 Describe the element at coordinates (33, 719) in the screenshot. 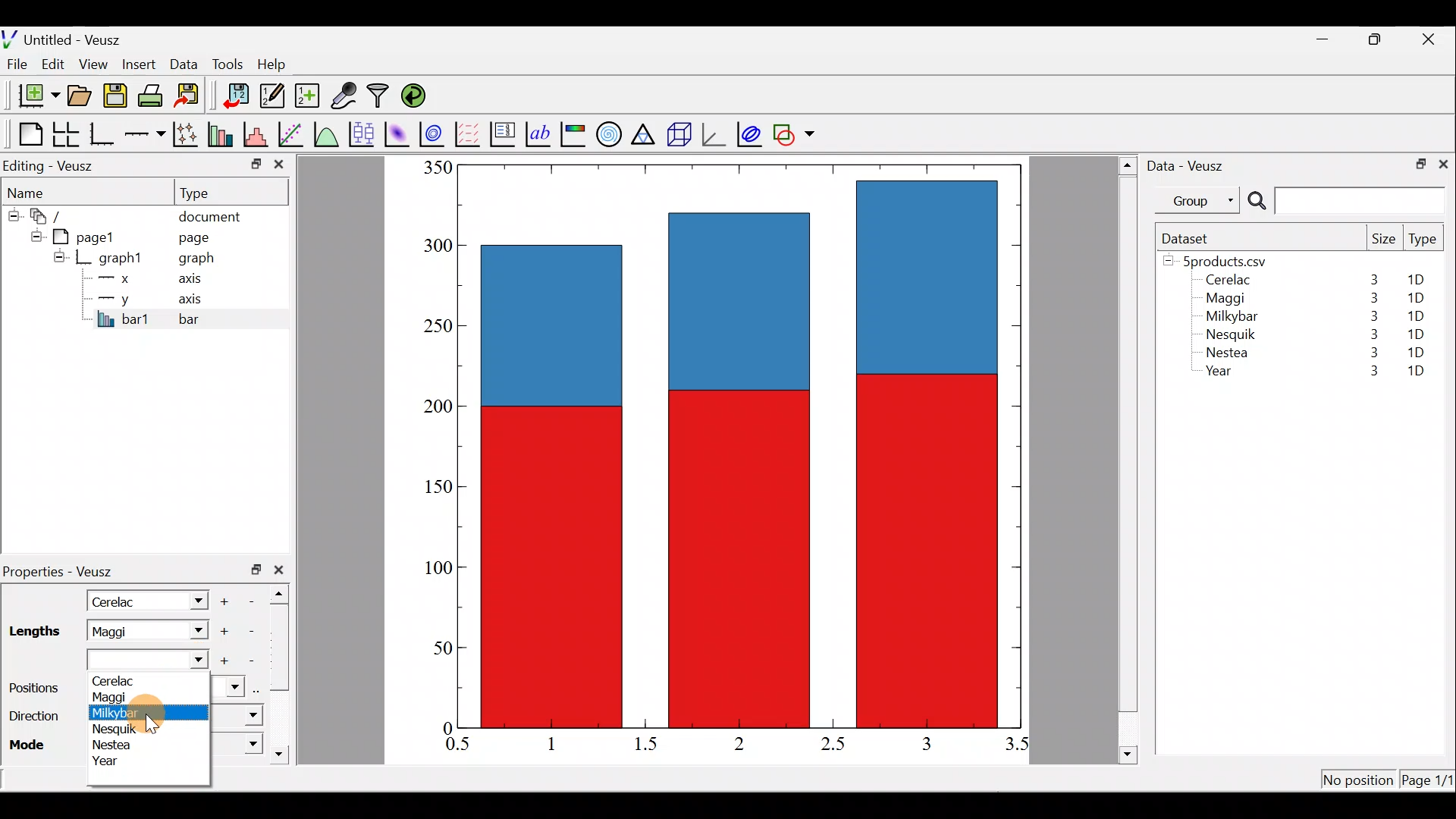

I see `Direction` at that location.